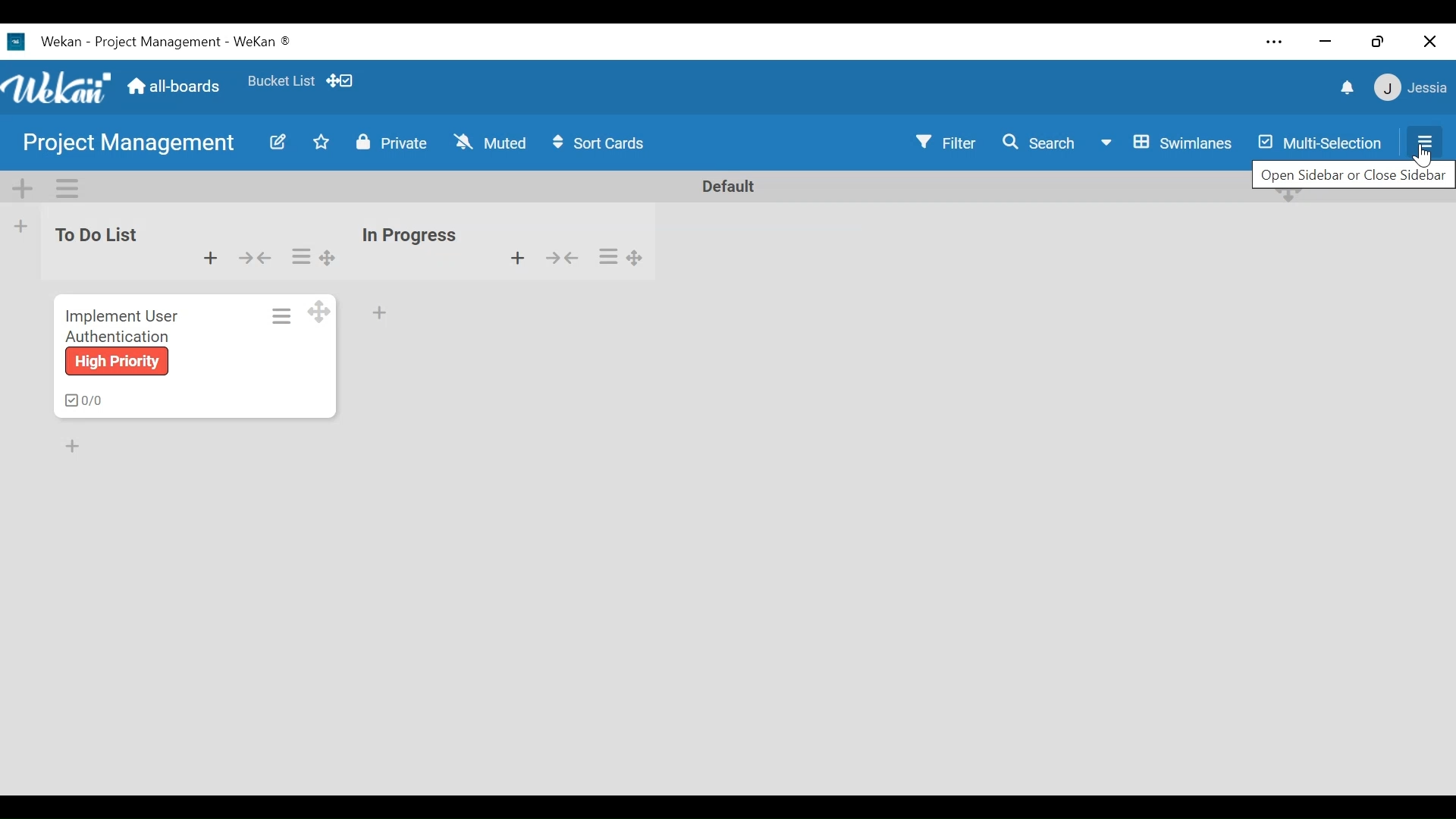  I want to click on Board View, so click(1164, 143).